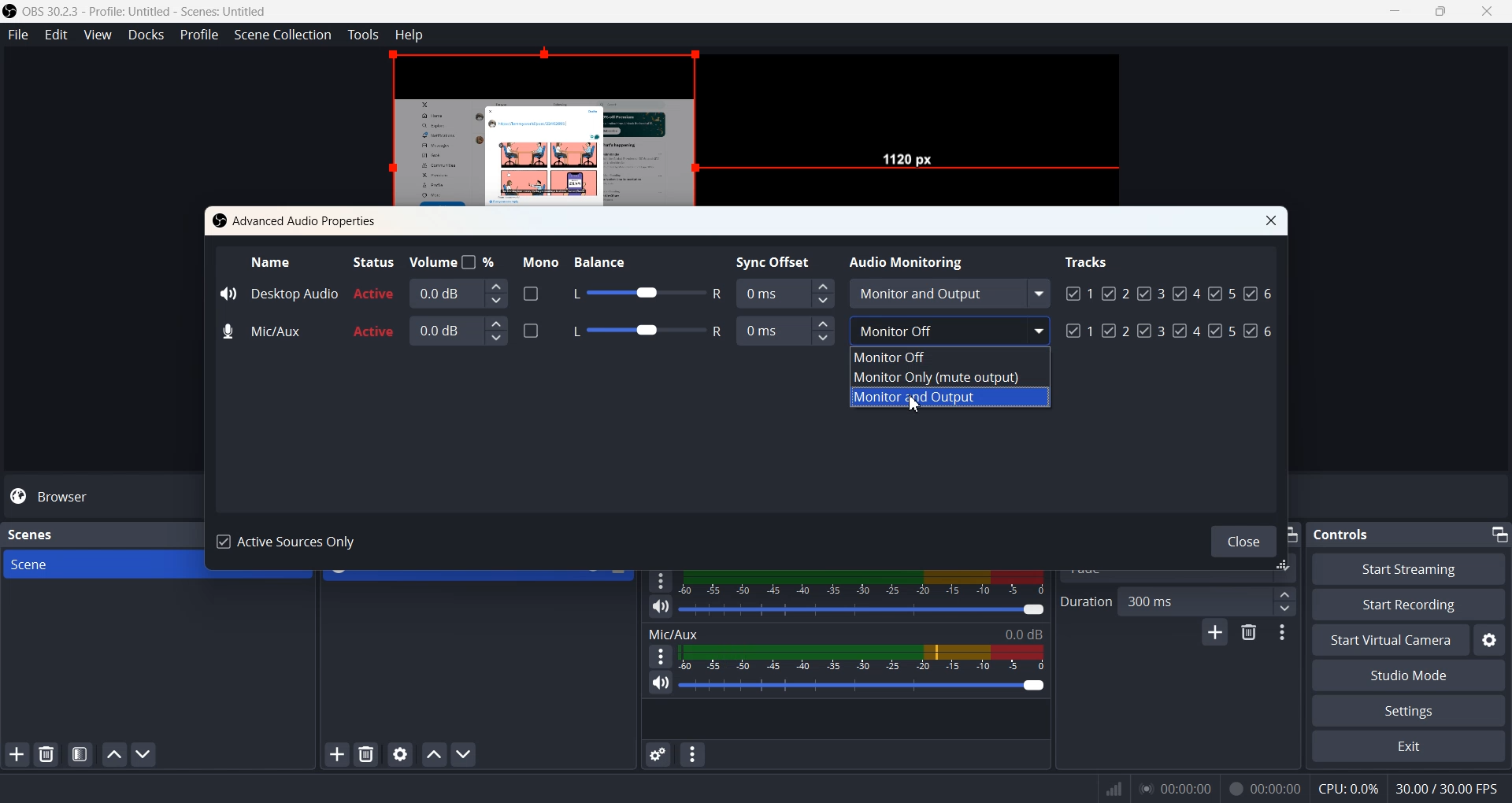 This screenshot has height=803, width=1512. Describe the element at coordinates (291, 543) in the screenshot. I see `Active Sources Only` at that location.